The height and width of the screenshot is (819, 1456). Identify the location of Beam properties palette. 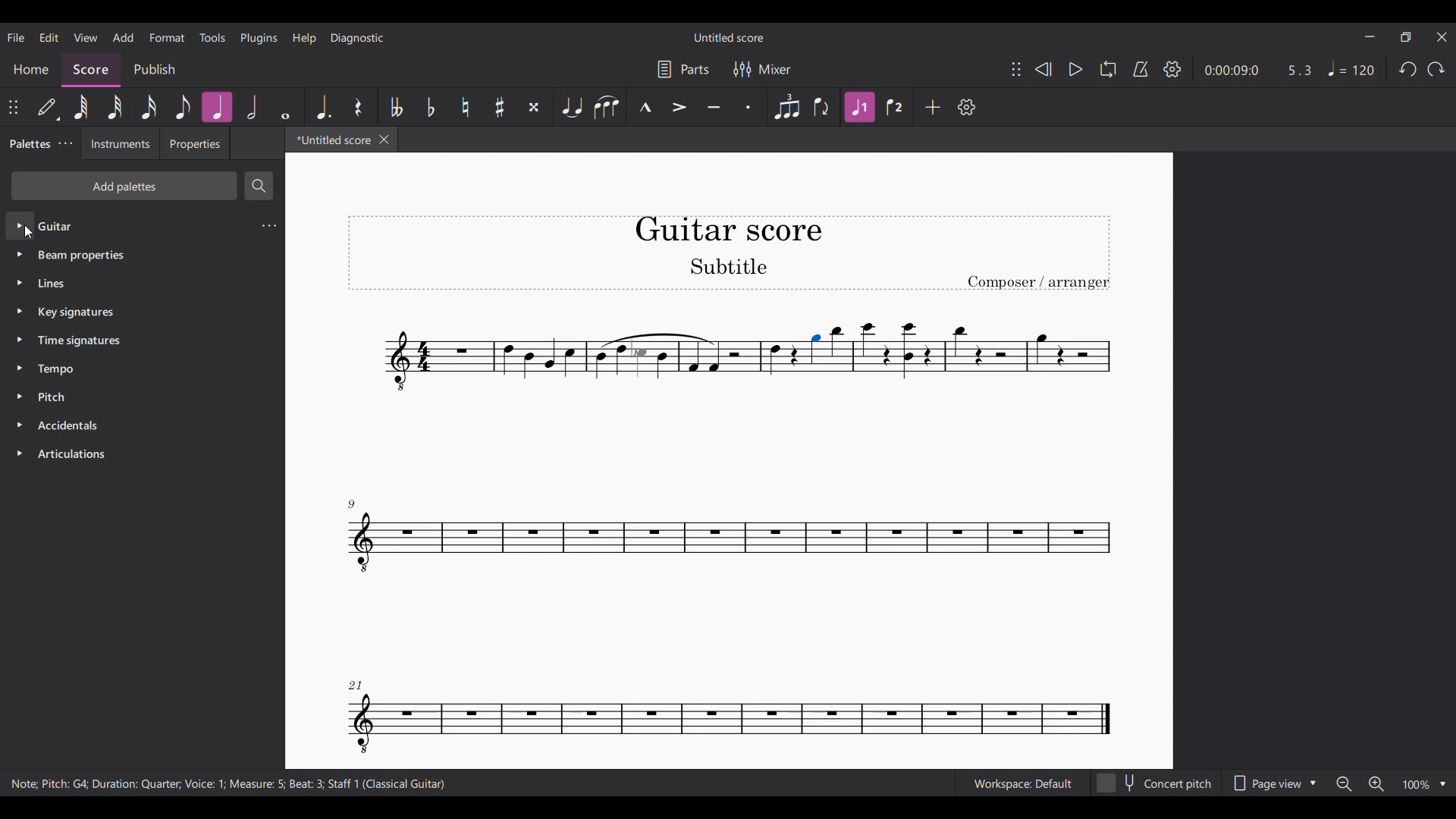
(81, 256).